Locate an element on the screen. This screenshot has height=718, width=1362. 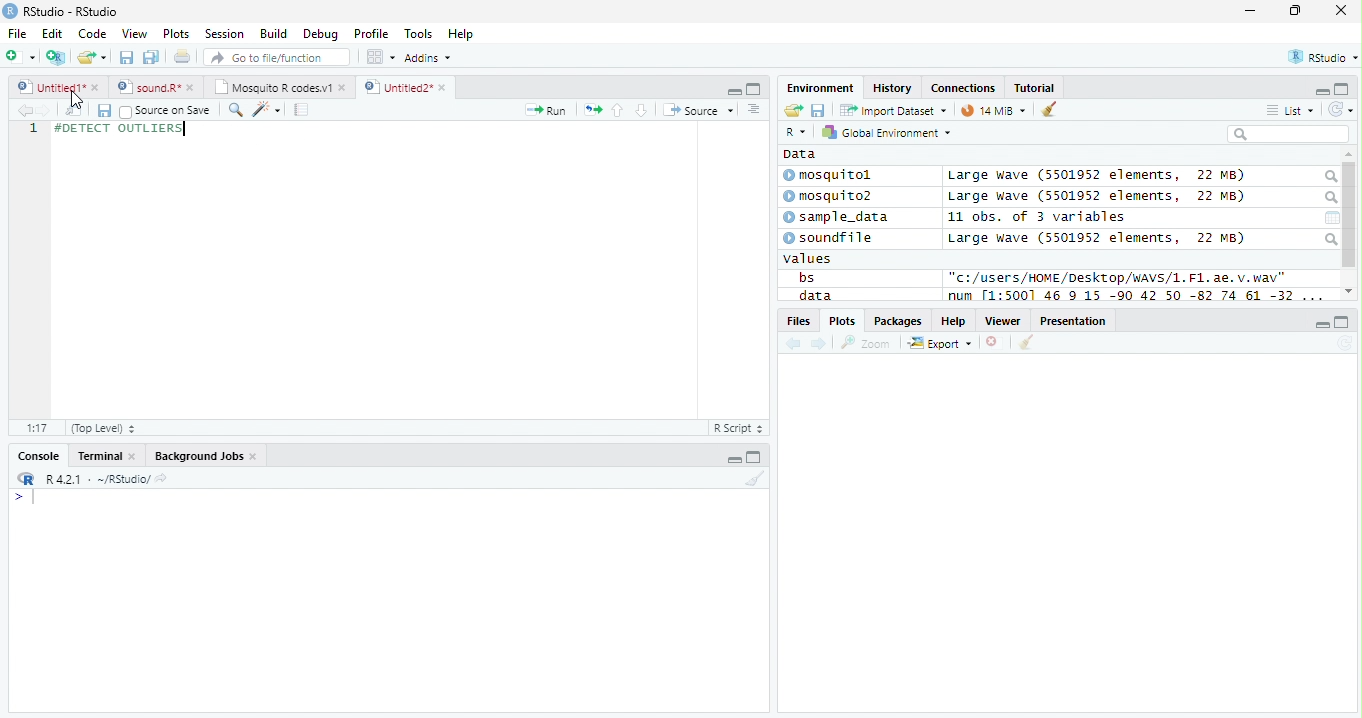
zoom is located at coordinates (866, 342).